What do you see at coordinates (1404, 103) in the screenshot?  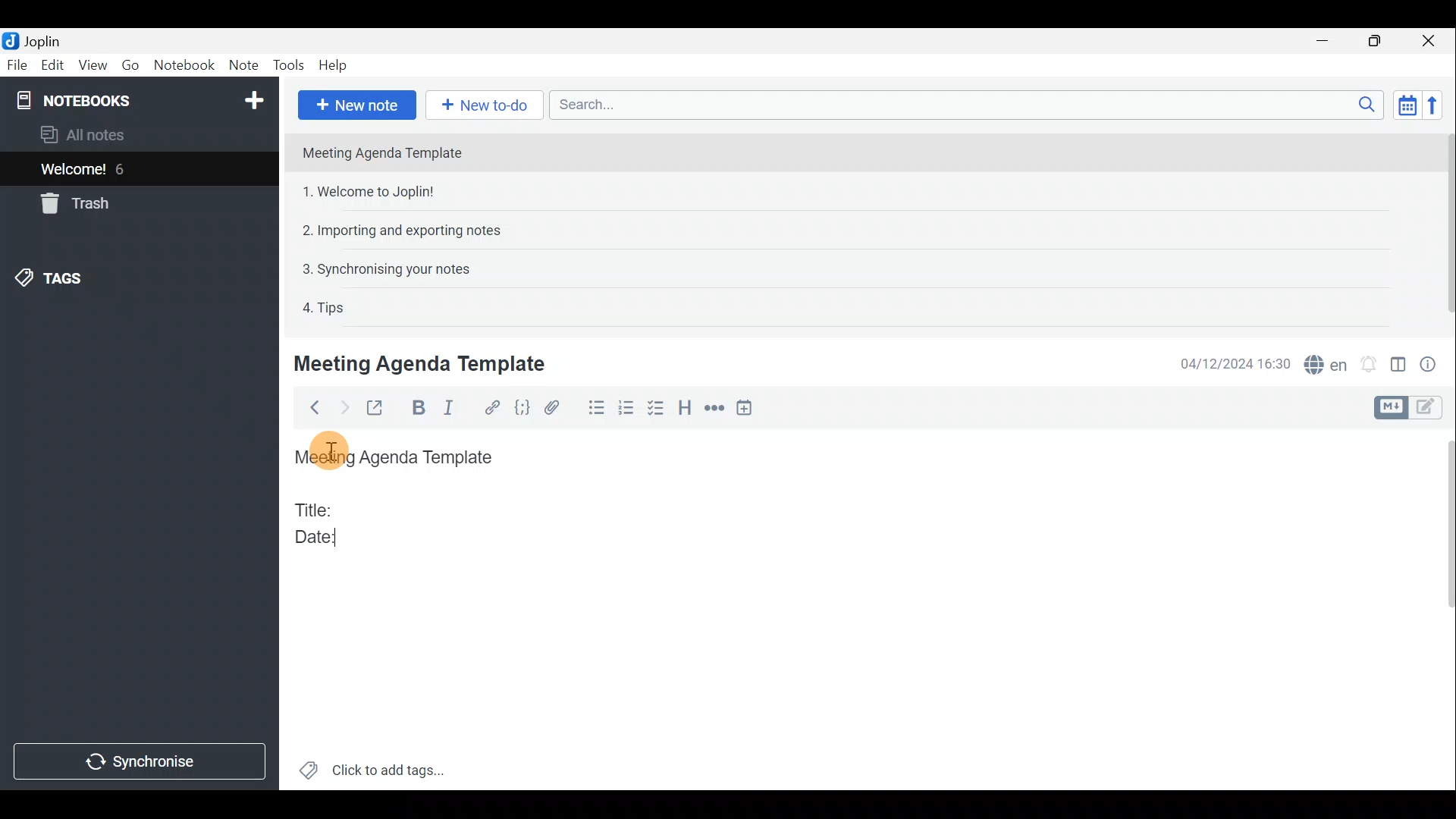 I see `Toggle sort order` at bounding box center [1404, 103].